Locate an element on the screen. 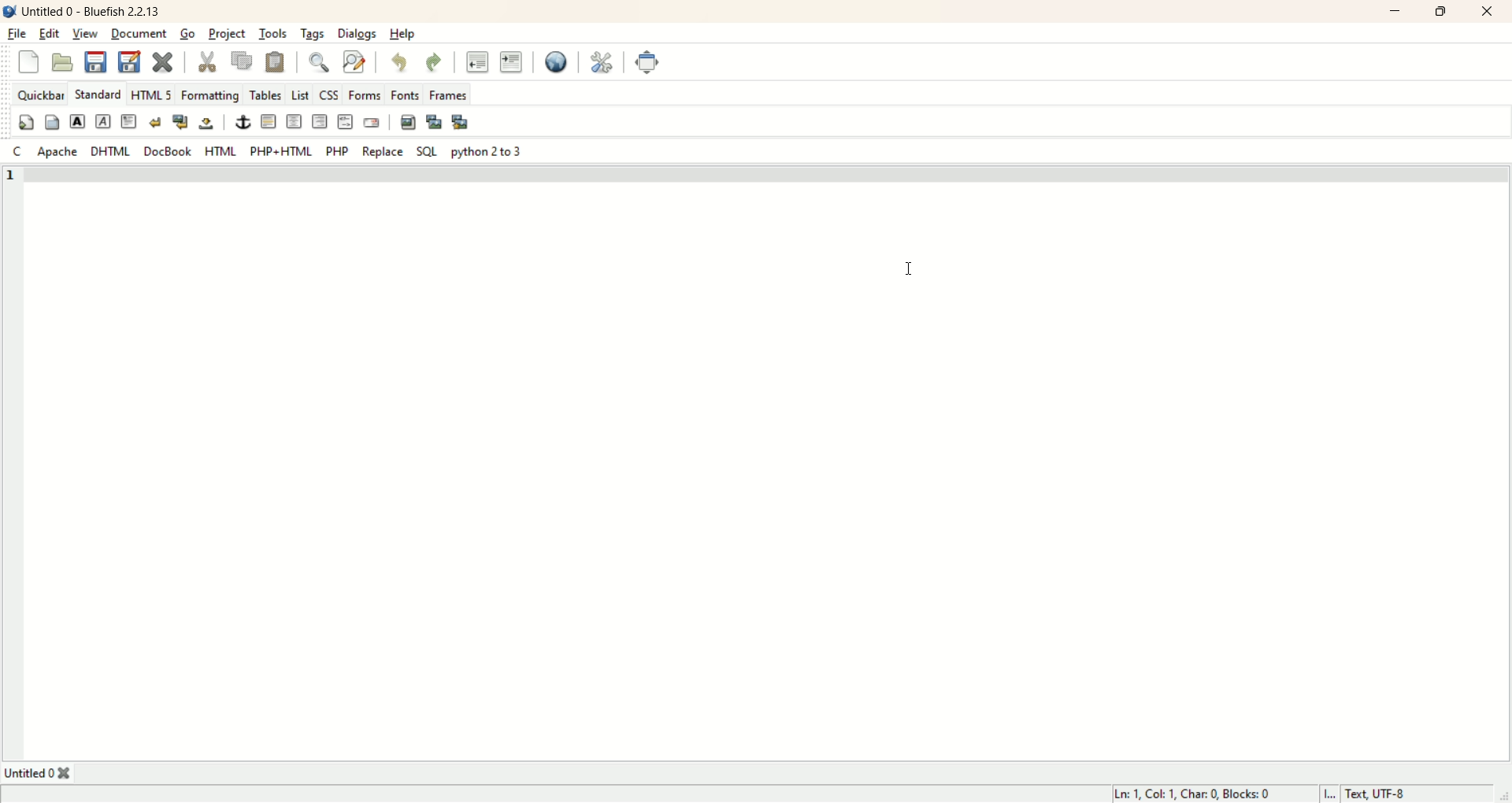  fullscreen is located at coordinates (650, 61).